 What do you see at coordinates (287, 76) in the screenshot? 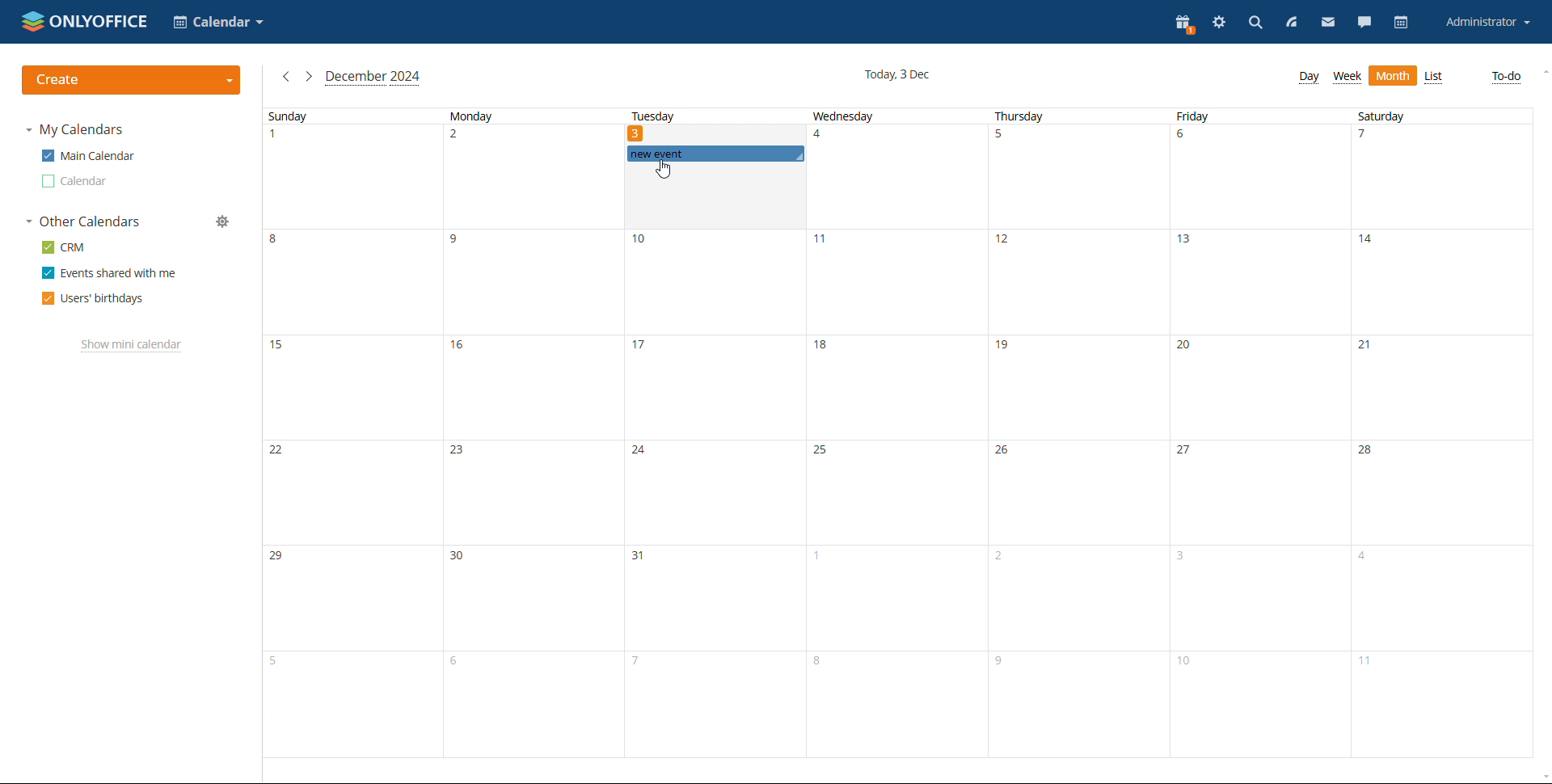
I see `previous month` at bounding box center [287, 76].